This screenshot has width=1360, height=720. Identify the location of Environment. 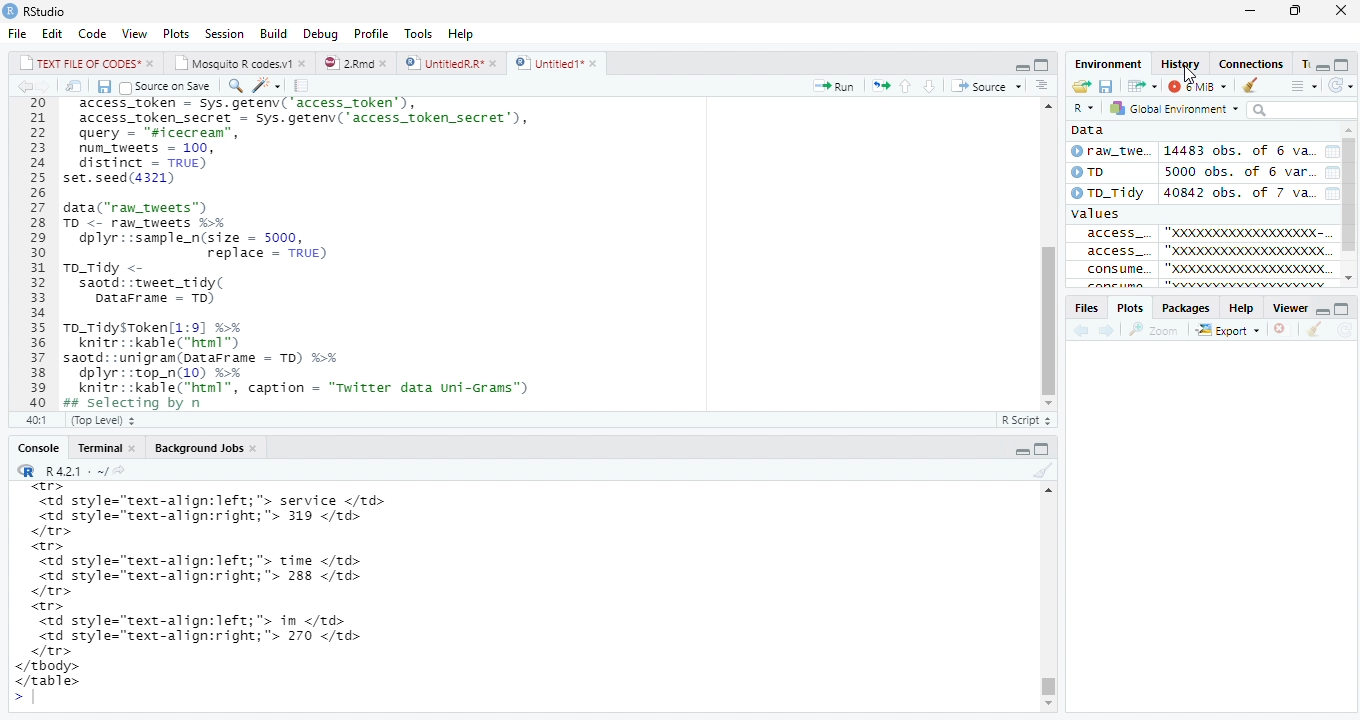
(1110, 63).